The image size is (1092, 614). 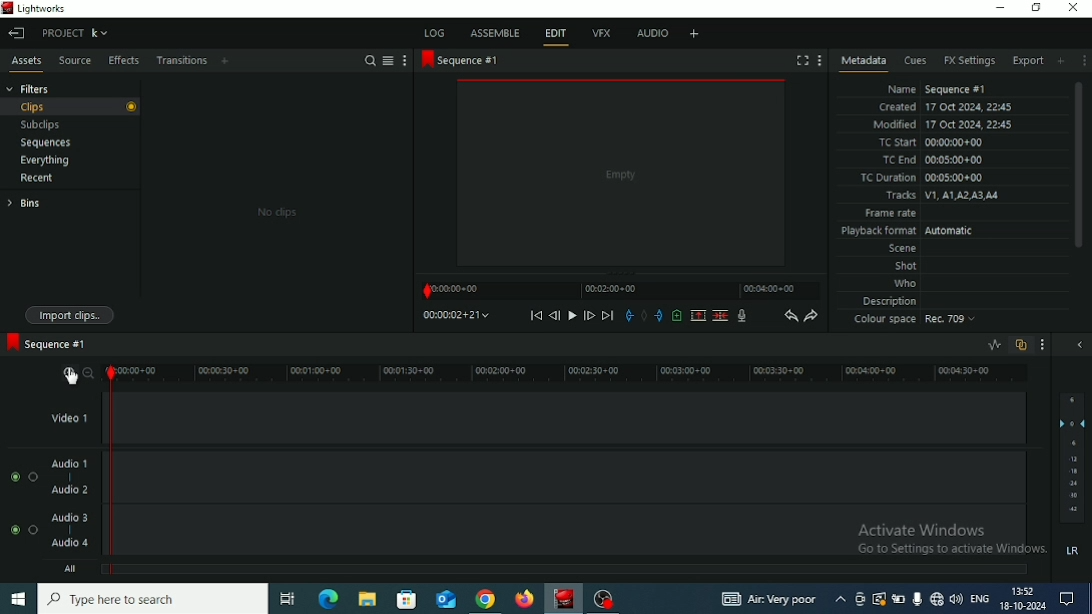 What do you see at coordinates (486, 599) in the screenshot?
I see `Google Chrome` at bounding box center [486, 599].